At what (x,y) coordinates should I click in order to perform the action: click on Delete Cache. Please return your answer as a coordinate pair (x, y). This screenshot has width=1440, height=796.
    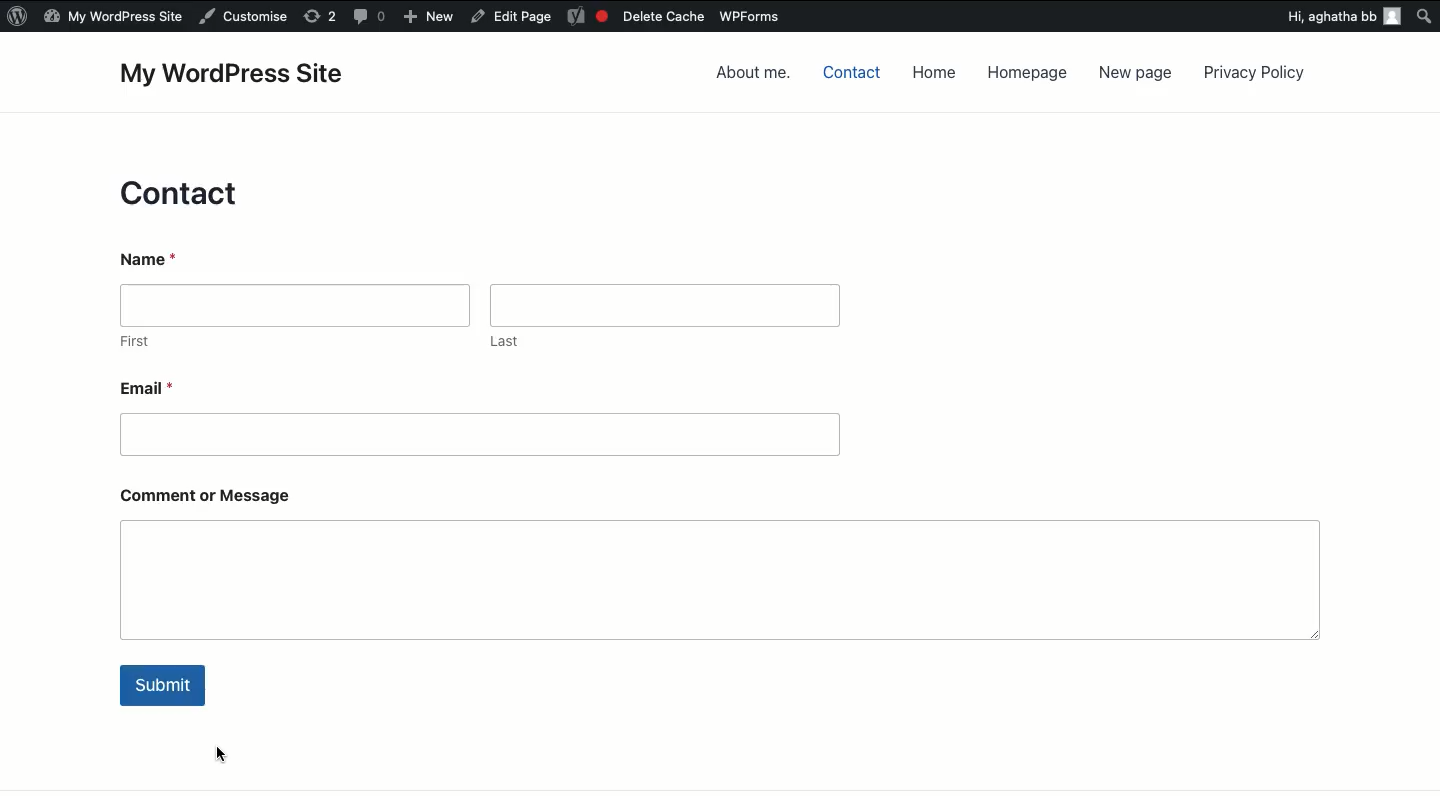
    Looking at the image, I should click on (639, 19).